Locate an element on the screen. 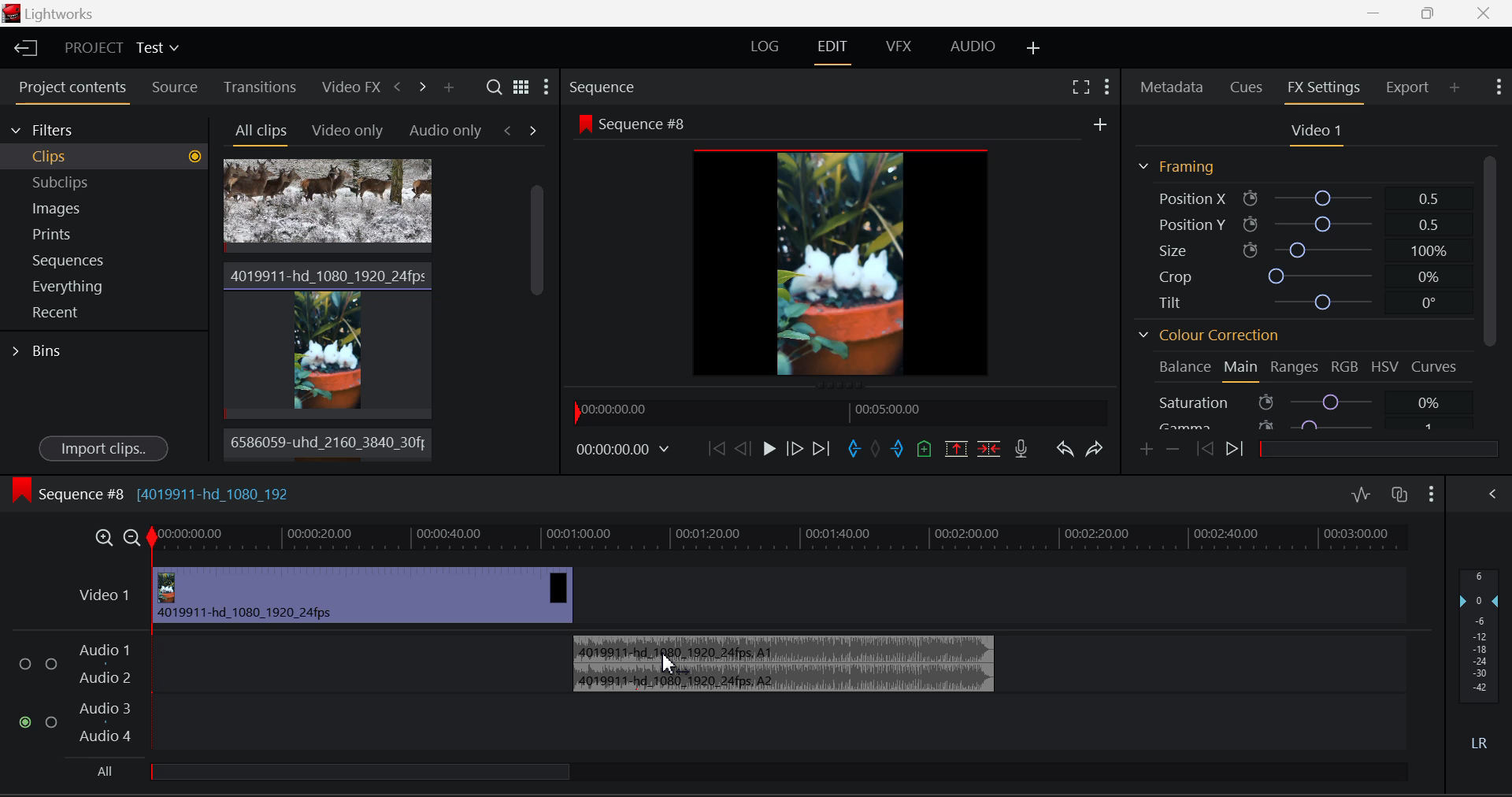 The width and height of the screenshot is (1512, 797). Toggle auto track sync is located at coordinates (1399, 495).